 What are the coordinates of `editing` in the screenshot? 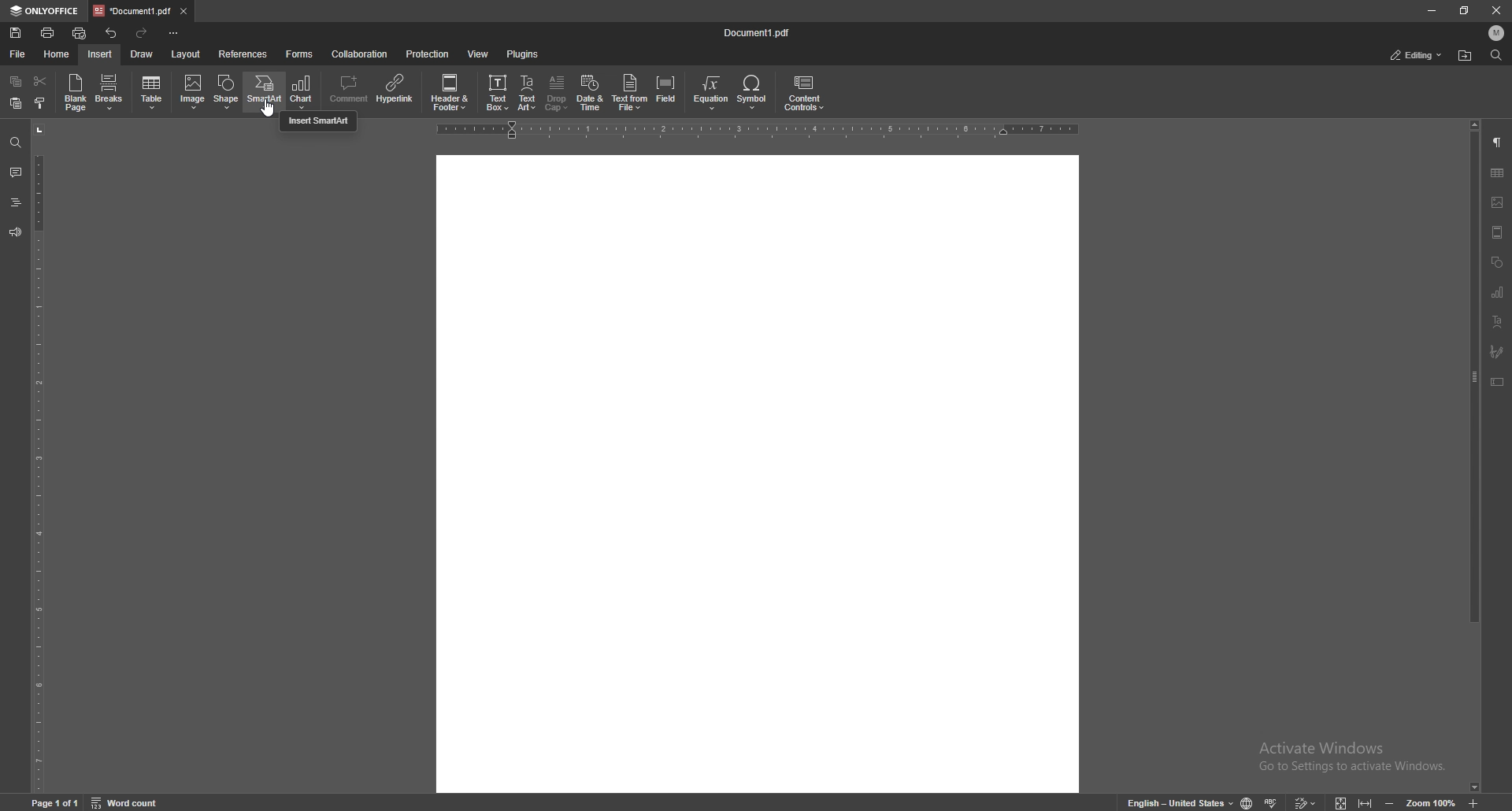 It's located at (1417, 55).